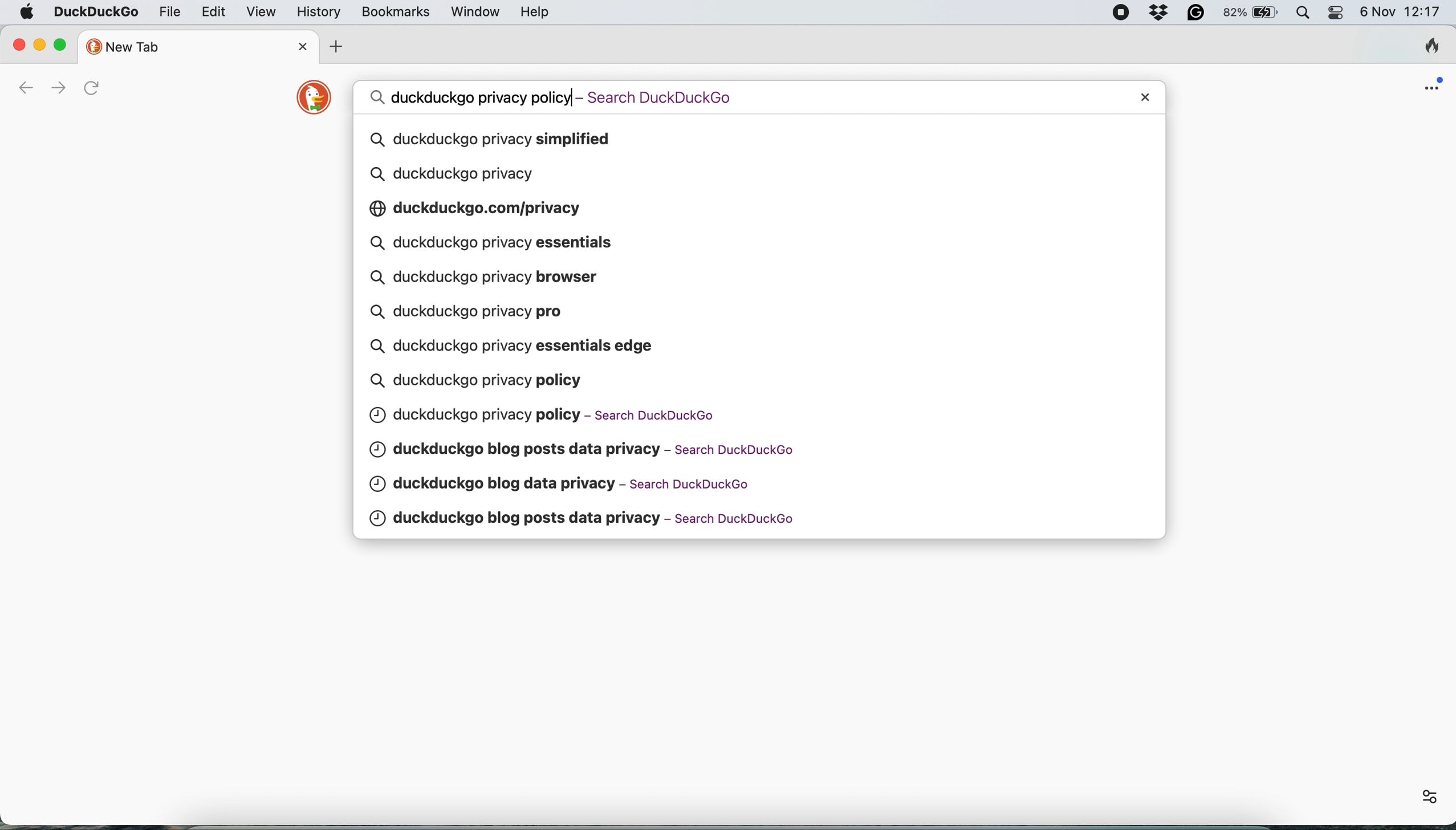 Image resolution: width=1456 pixels, height=830 pixels. Describe the element at coordinates (318, 13) in the screenshot. I see `history` at that location.